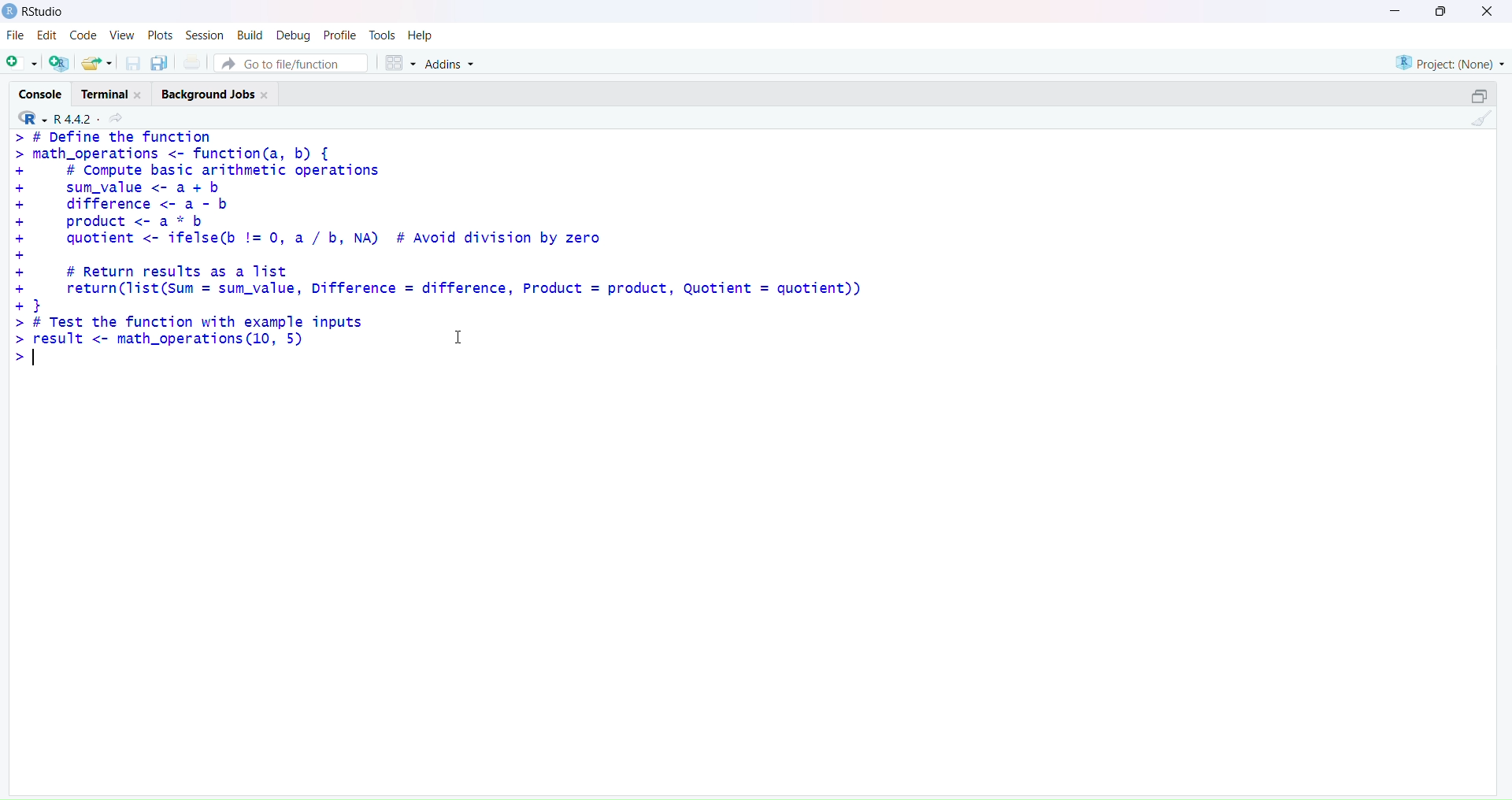 The width and height of the screenshot is (1512, 800). What do you see at coordinates (96, 63) in the screenshot?
I see `Open an existing file (Ctrl + O)` at bounding box center [96, 63].